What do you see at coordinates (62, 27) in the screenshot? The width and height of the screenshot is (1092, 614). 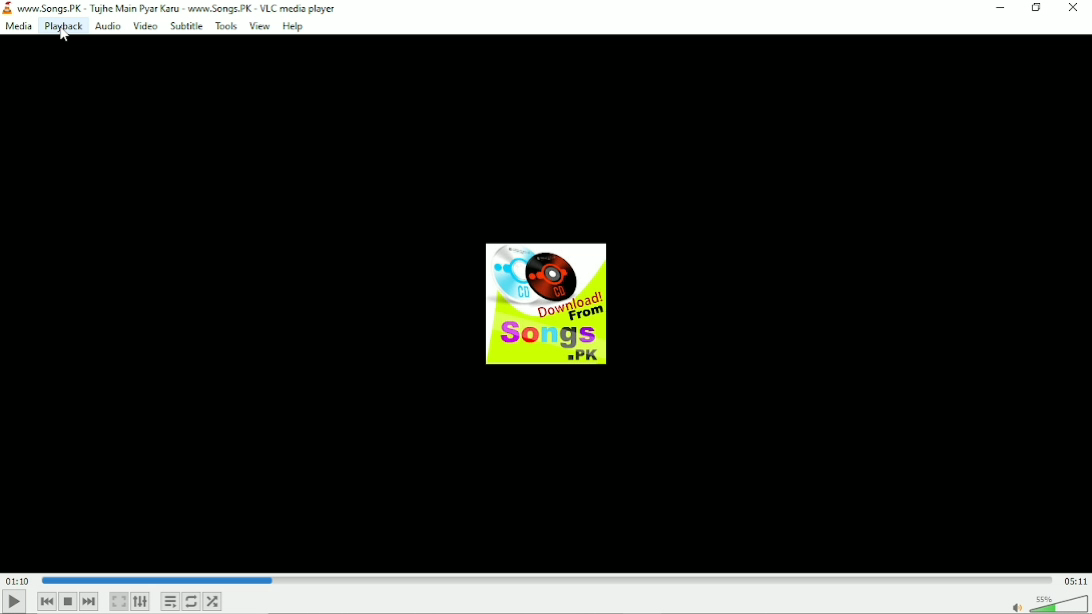 I see `Playback` at bounding box center [62, 27].